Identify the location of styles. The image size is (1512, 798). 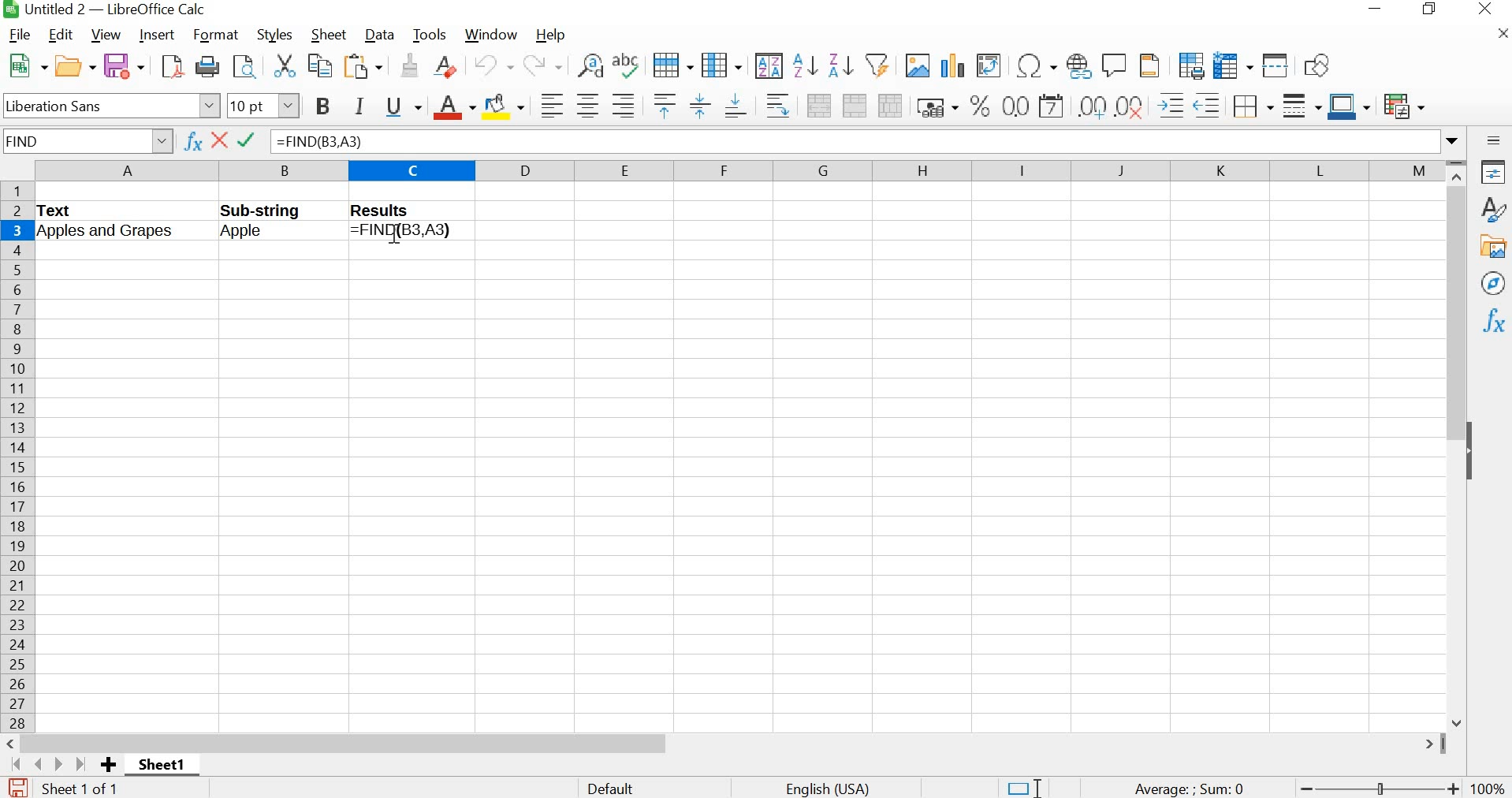
(1492, 209).